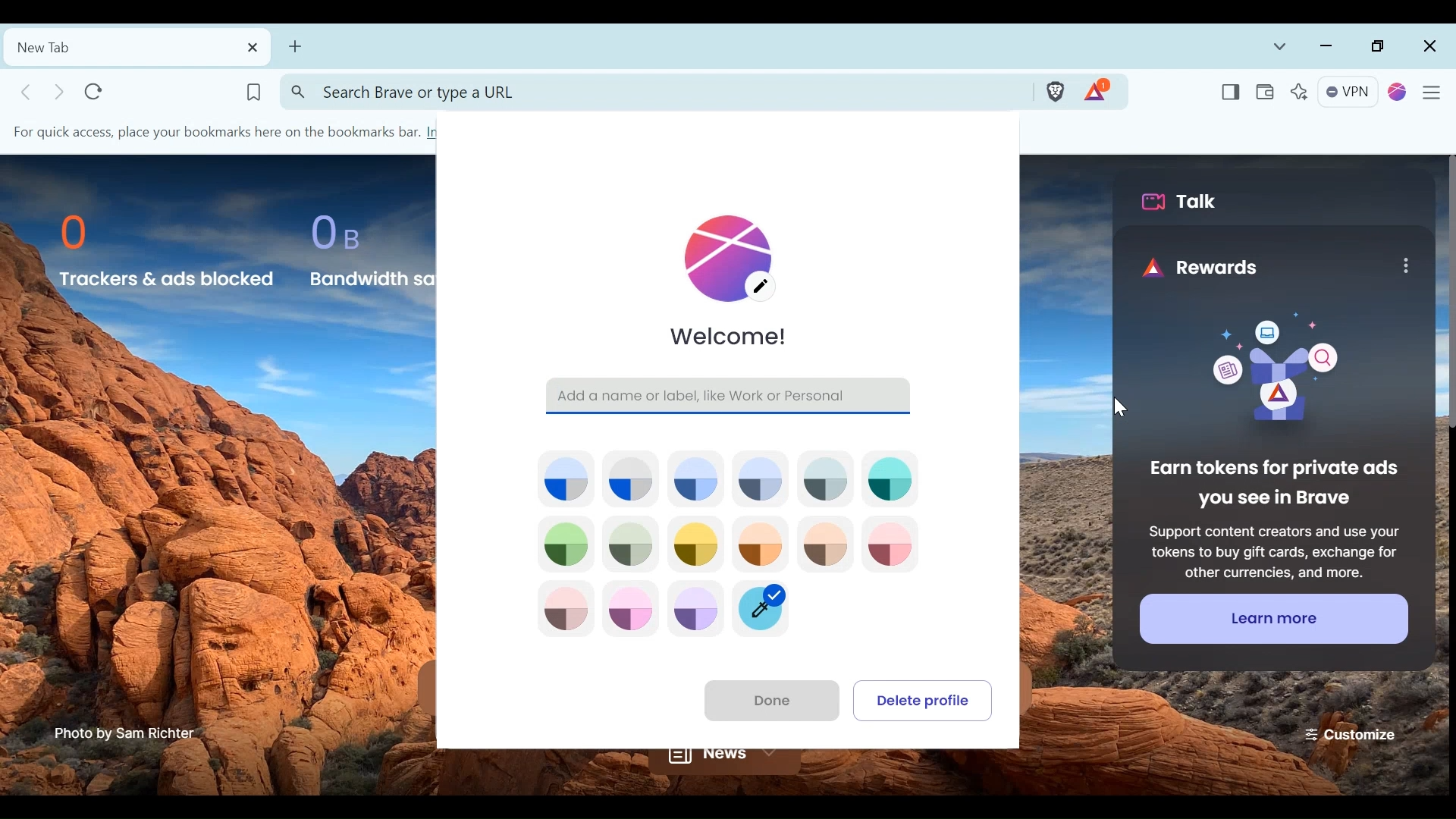 The width and height of the screenshot is (1456, 819). What do you see at coordinates (730, 394) in the screenshot?
I see `Add a name or label, like Work or Personal` at bounding box center [730, 394].